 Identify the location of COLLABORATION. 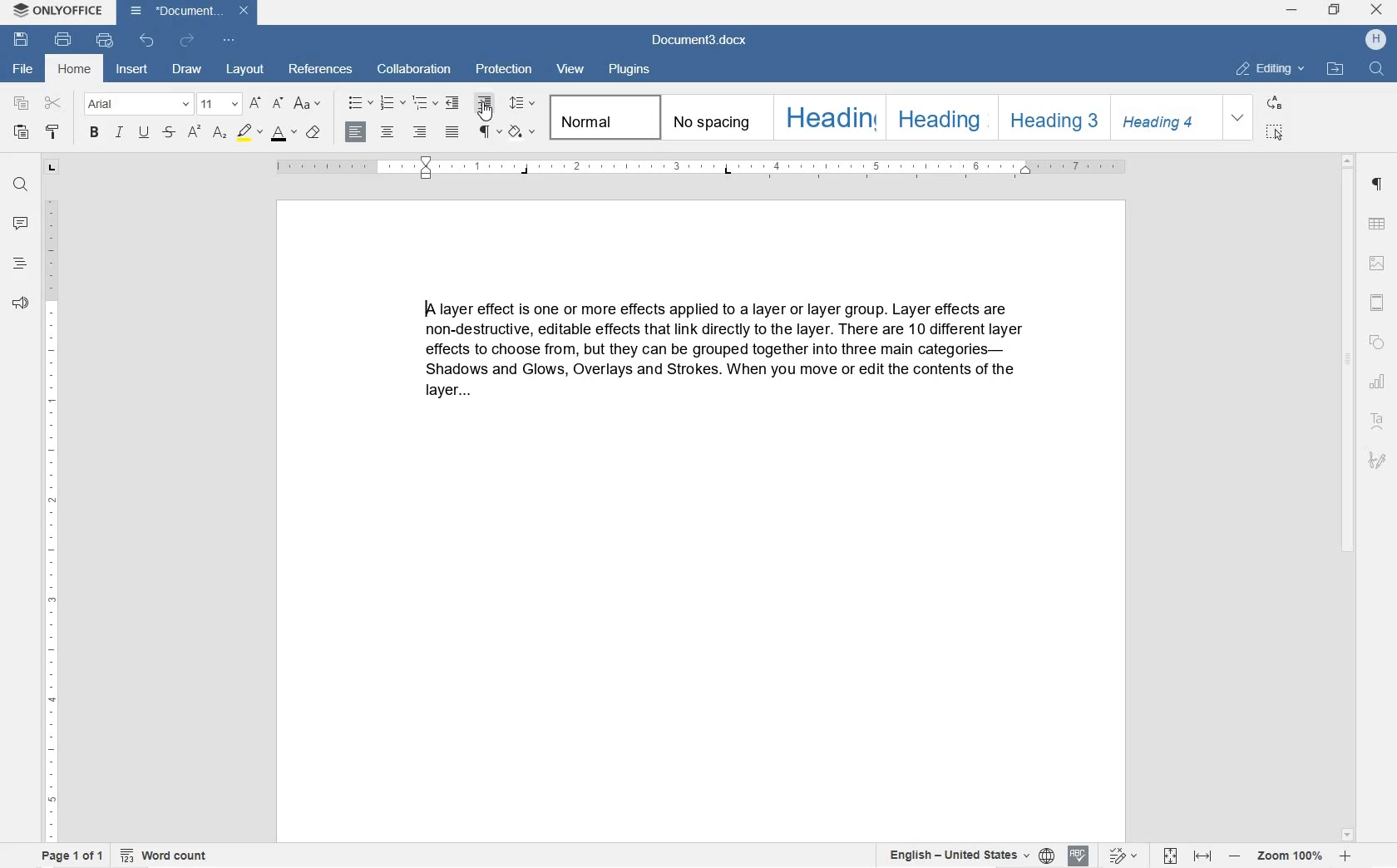
(414, 70).